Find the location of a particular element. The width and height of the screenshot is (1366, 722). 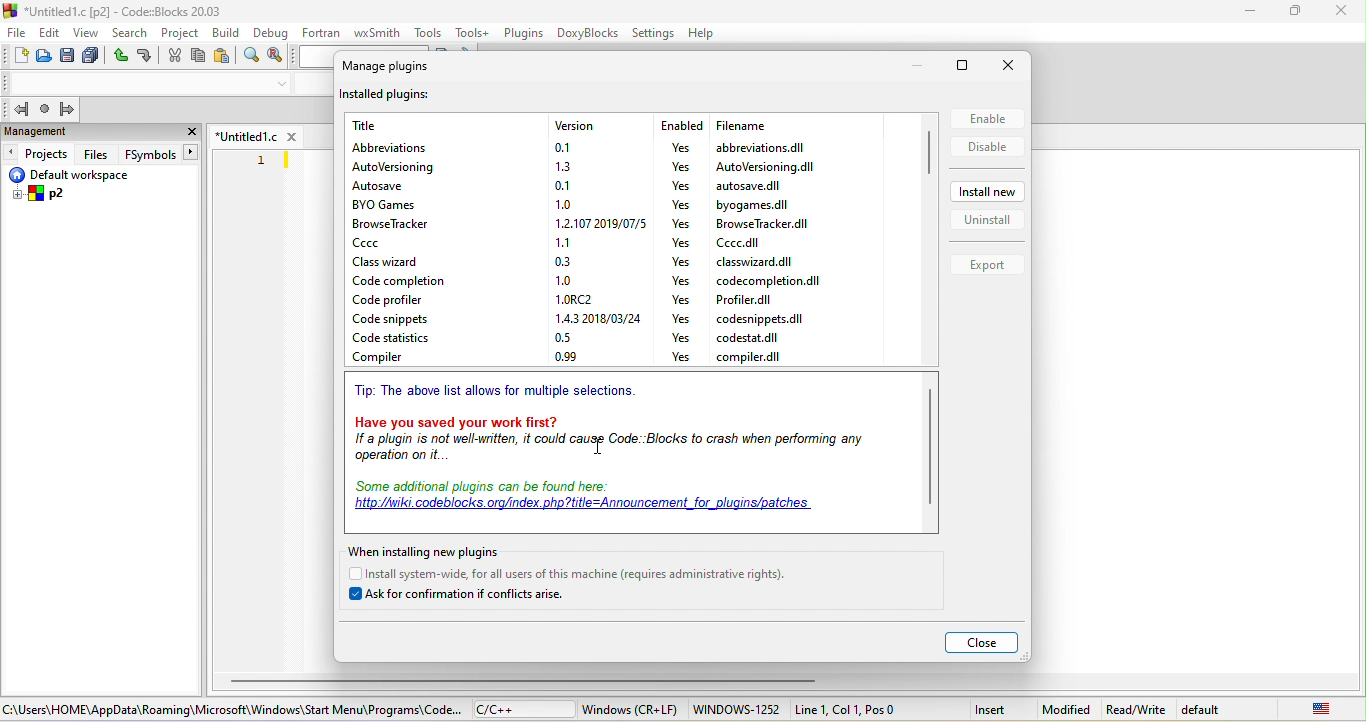

vertical scroll bar is located at coordinates (927, 154).